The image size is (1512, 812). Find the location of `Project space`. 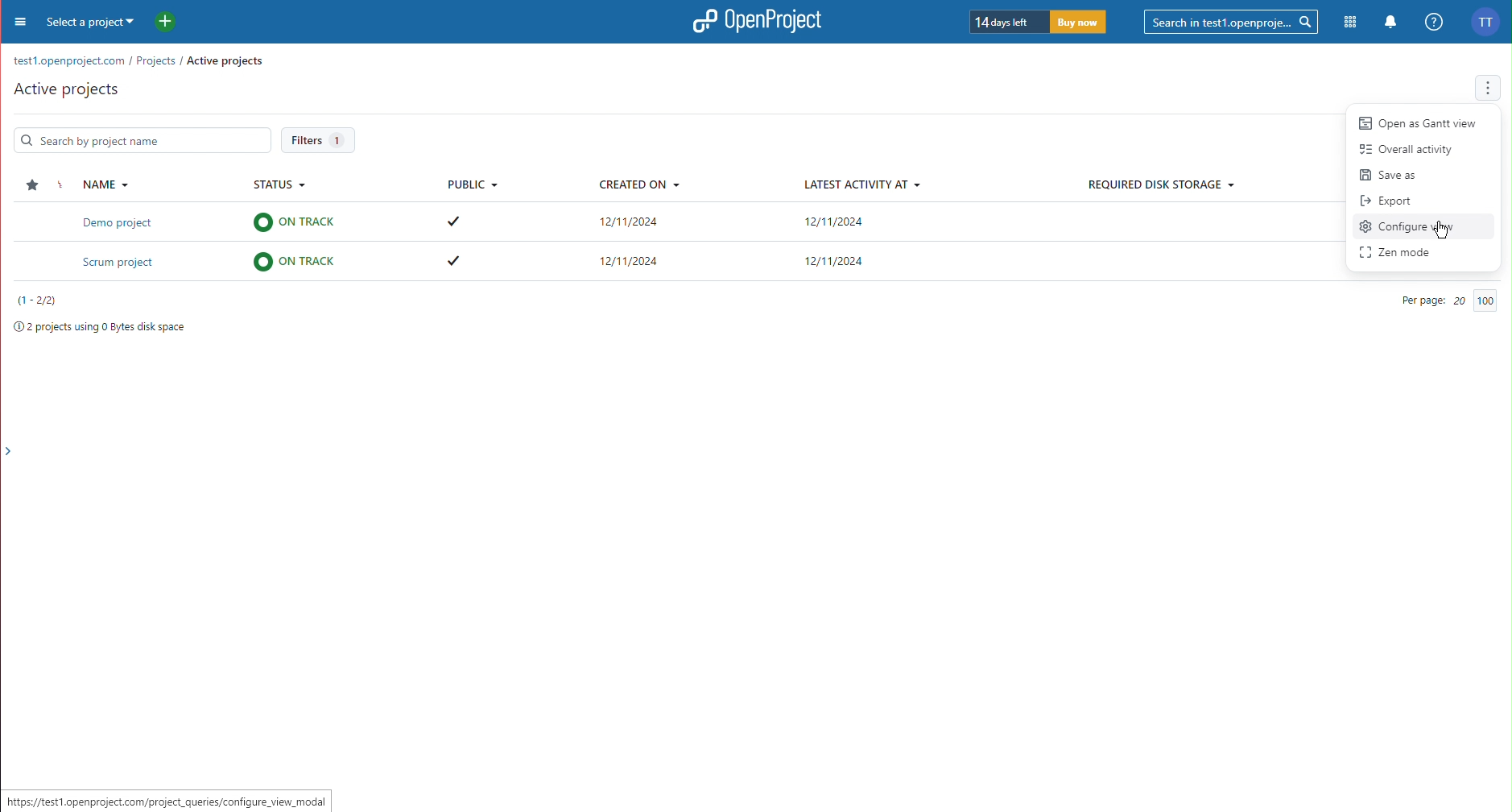

Project space is located at coordinates (116, 324).